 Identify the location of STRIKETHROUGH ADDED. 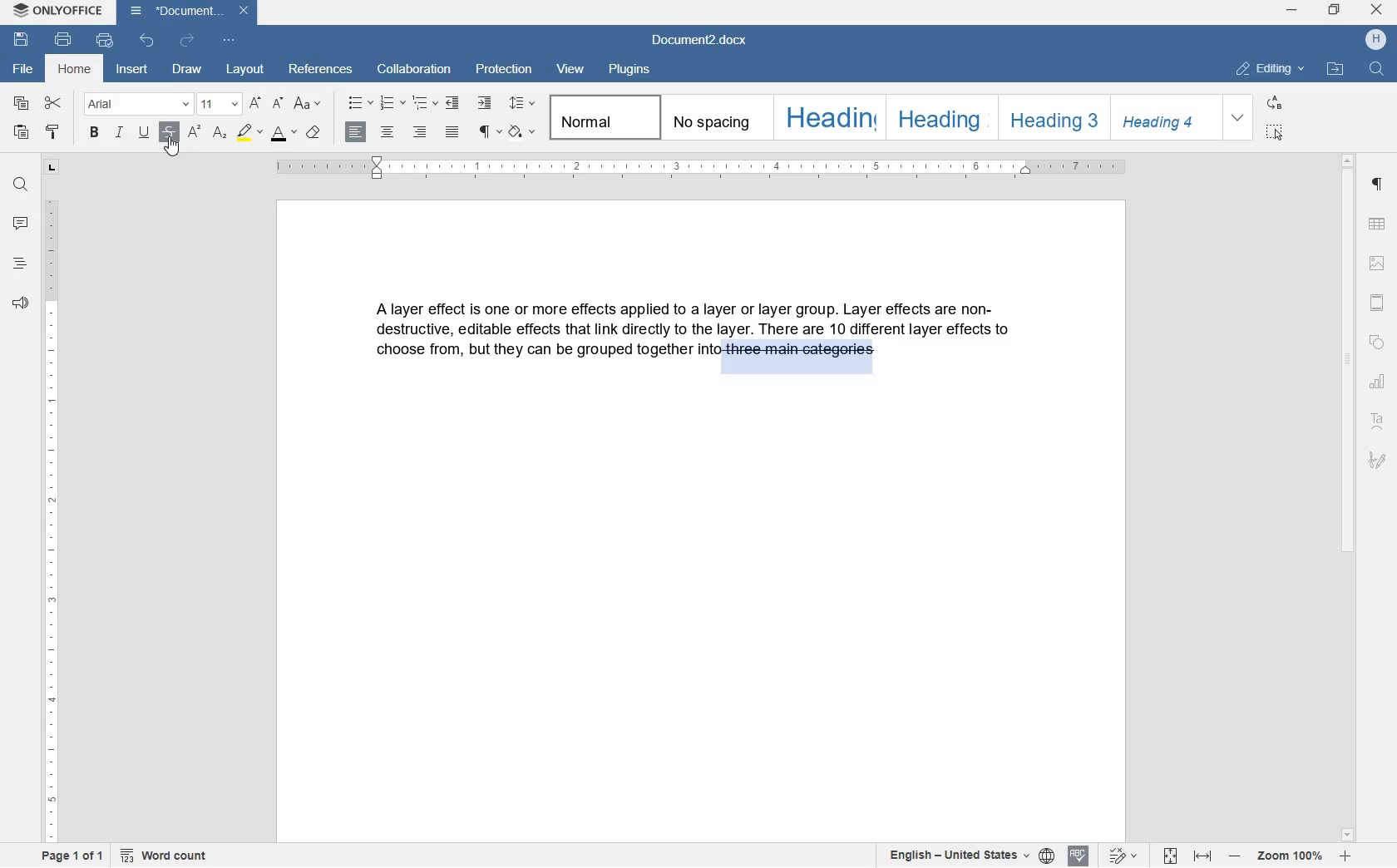
(797, 356).